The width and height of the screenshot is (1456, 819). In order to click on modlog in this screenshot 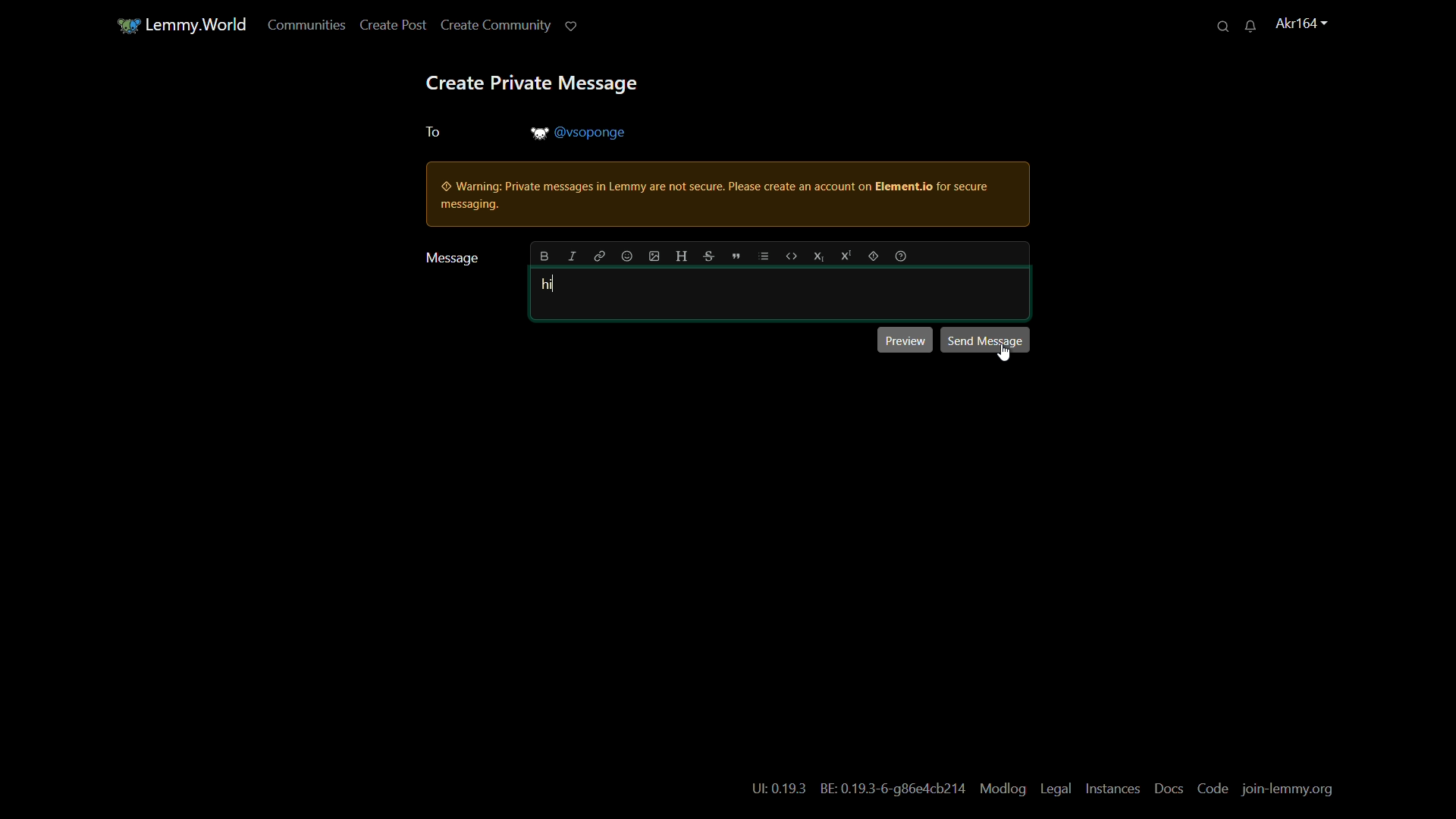, I will do `click(1003, 789)`.